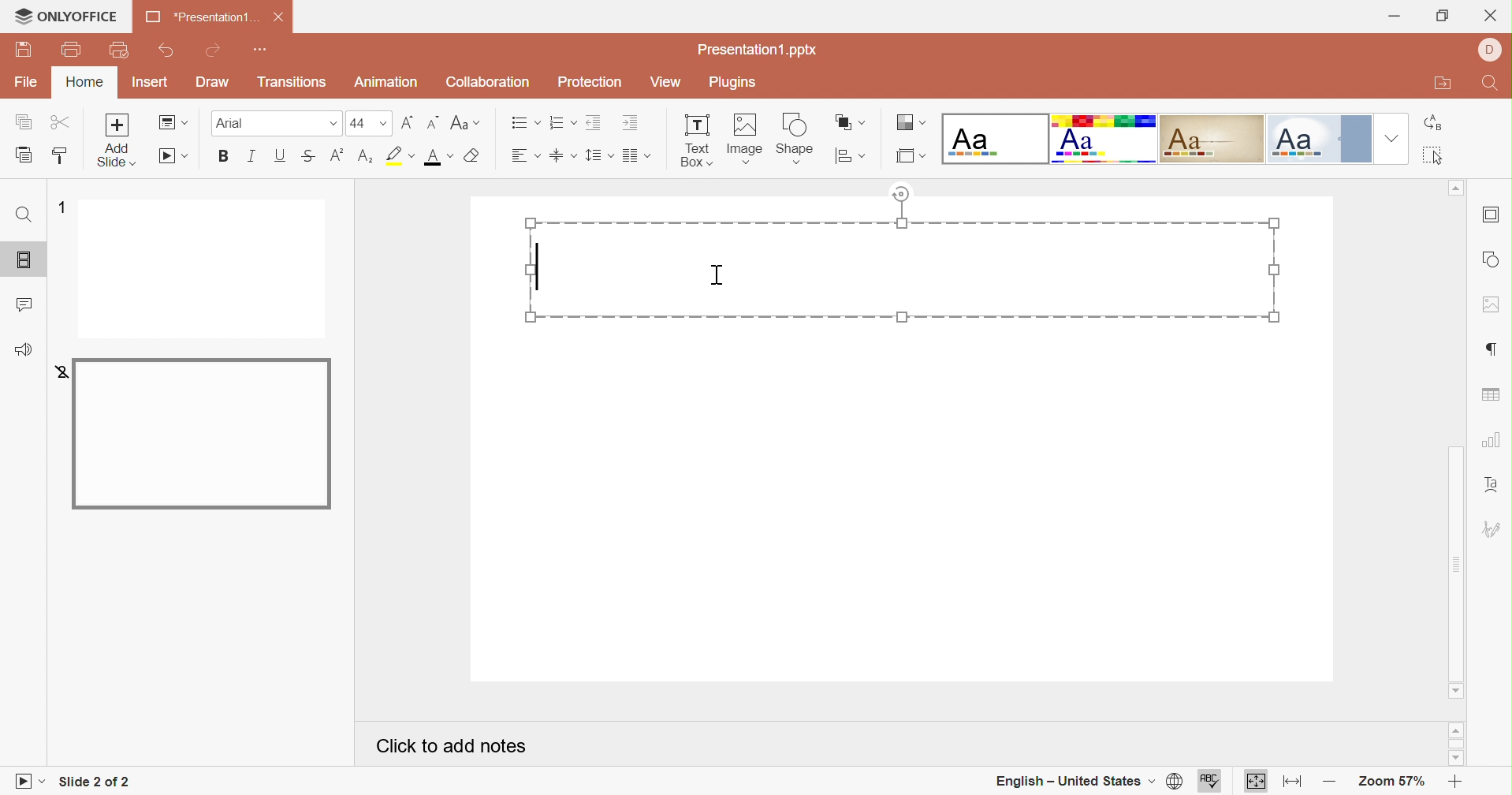  What do you see at coordinates (174, 123) in the screenshot?
I see `Change slide layout` at bounding box center [174, 123].